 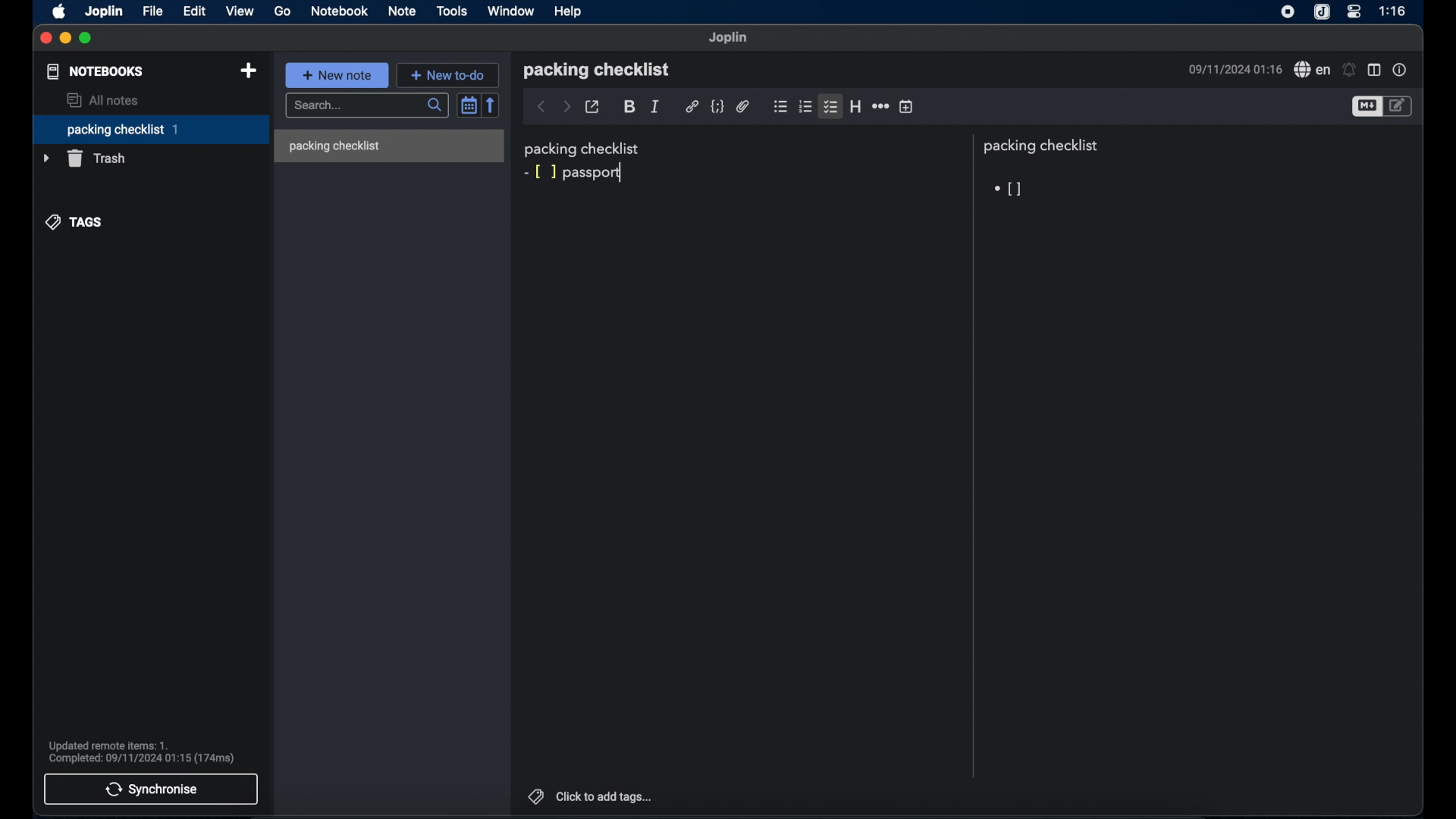 What do you see at coordinates (1312, 70) in the screenshot?
I see `spell check` at bounding box center [1312, 70].